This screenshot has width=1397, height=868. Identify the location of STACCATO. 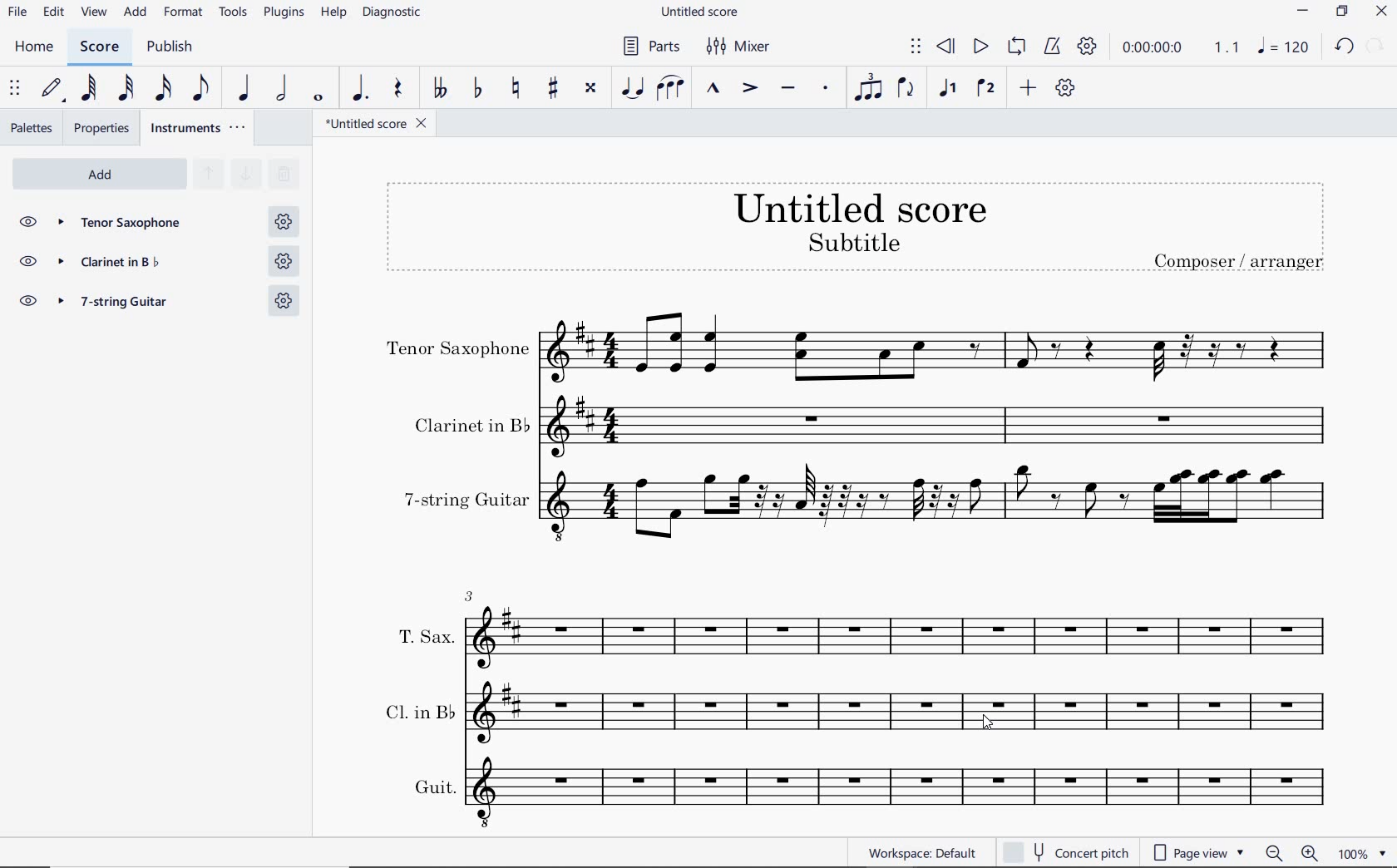
(825, 89).